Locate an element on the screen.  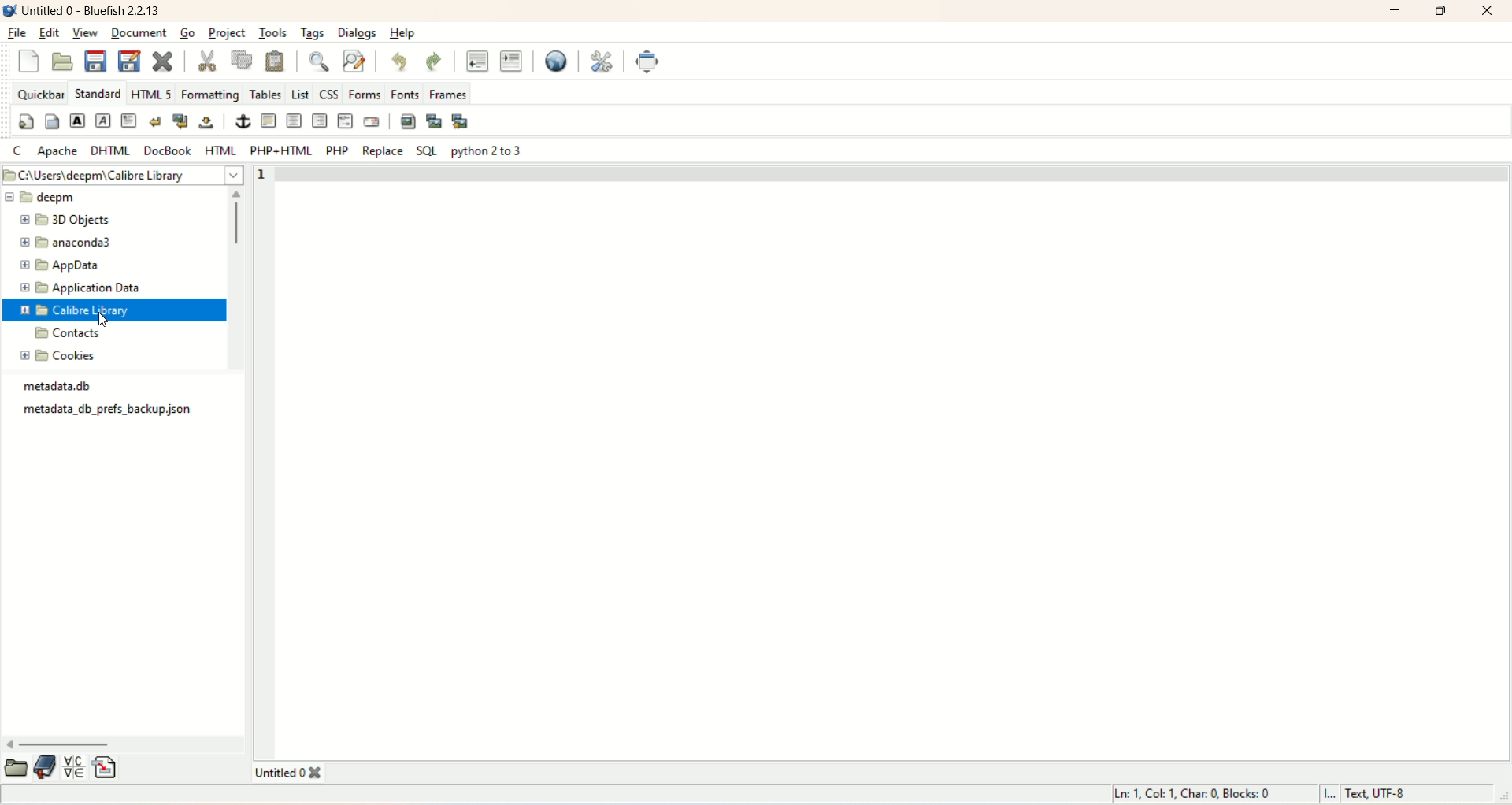
documentation is located at coordinates (46, 767).